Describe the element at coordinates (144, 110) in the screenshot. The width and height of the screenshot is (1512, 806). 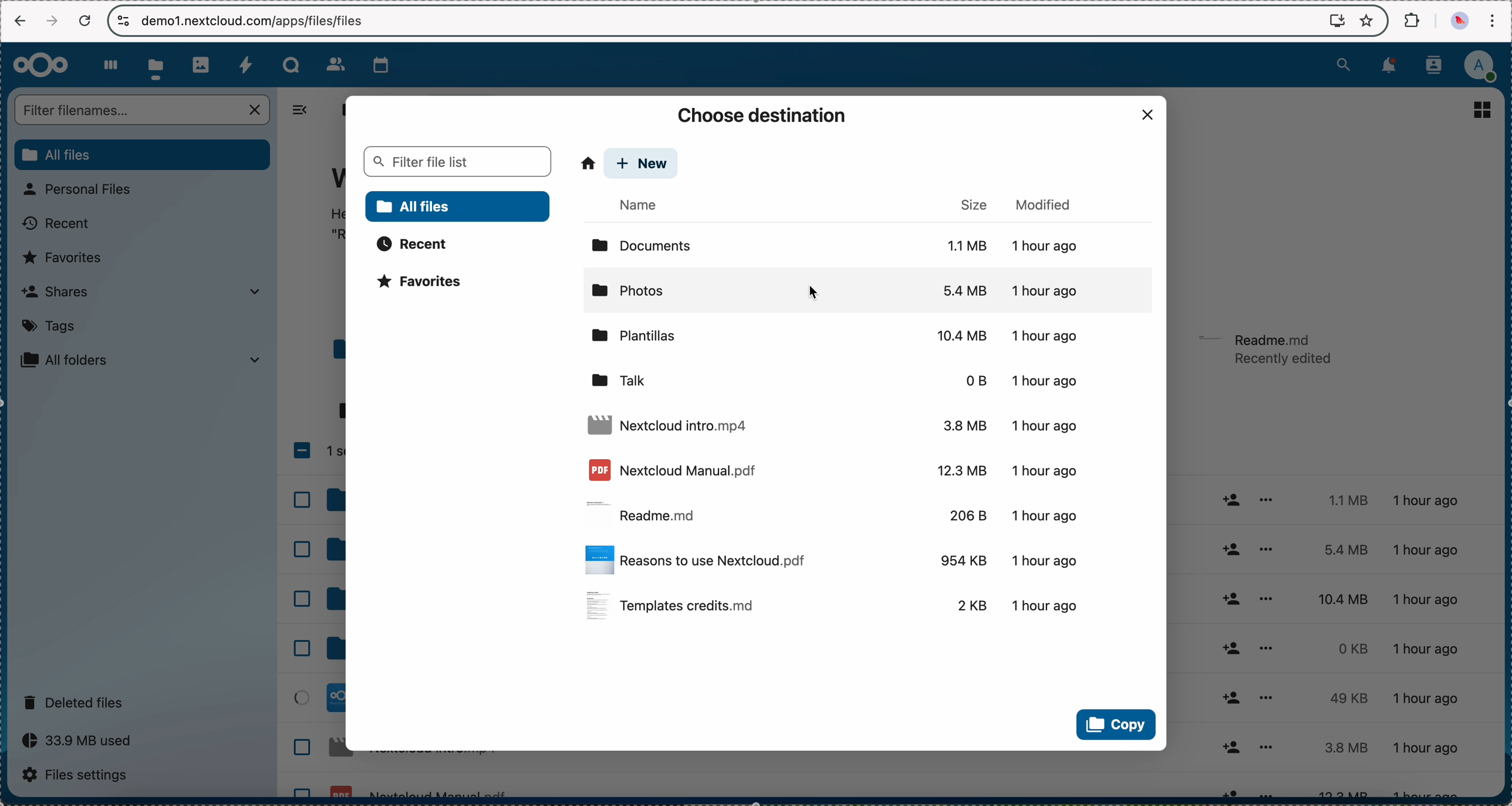
I see `search bar` at that location.